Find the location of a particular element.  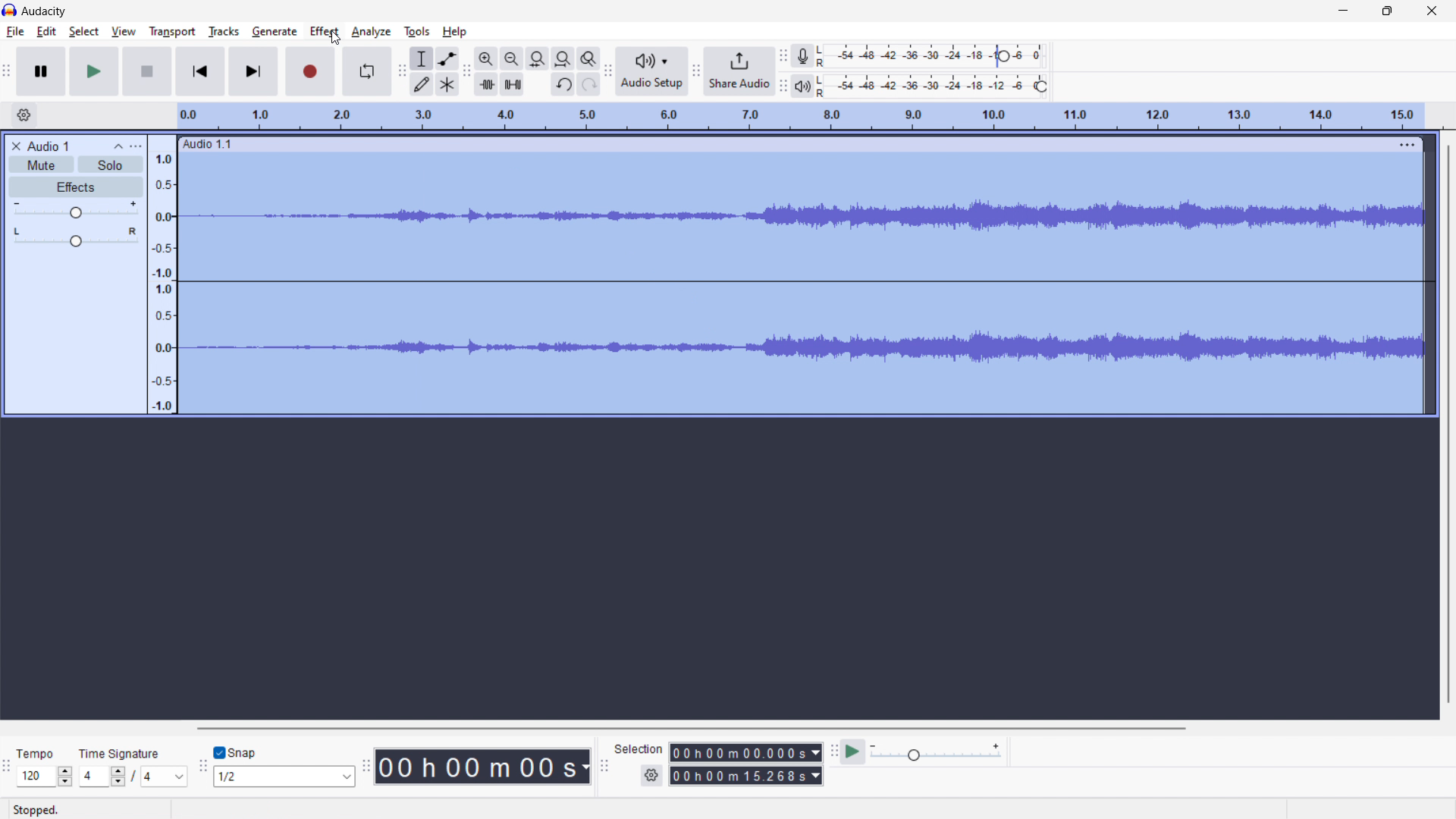

multi tool is located at coordinates (448, 84).